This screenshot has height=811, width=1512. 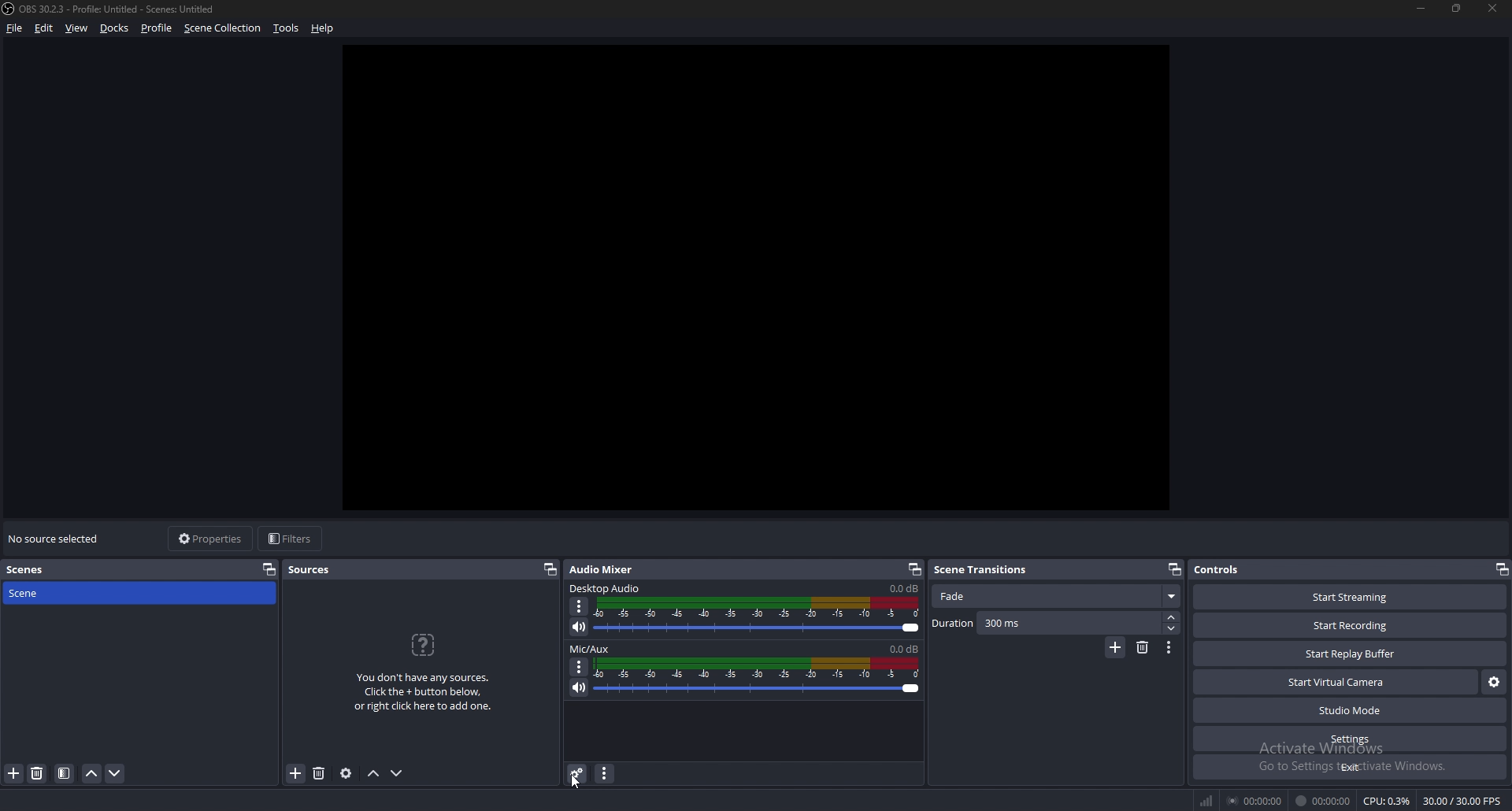 What do you see at coordinates (40, 593) in the screenshot?
I see `scene` at bounding box center [40, 593].